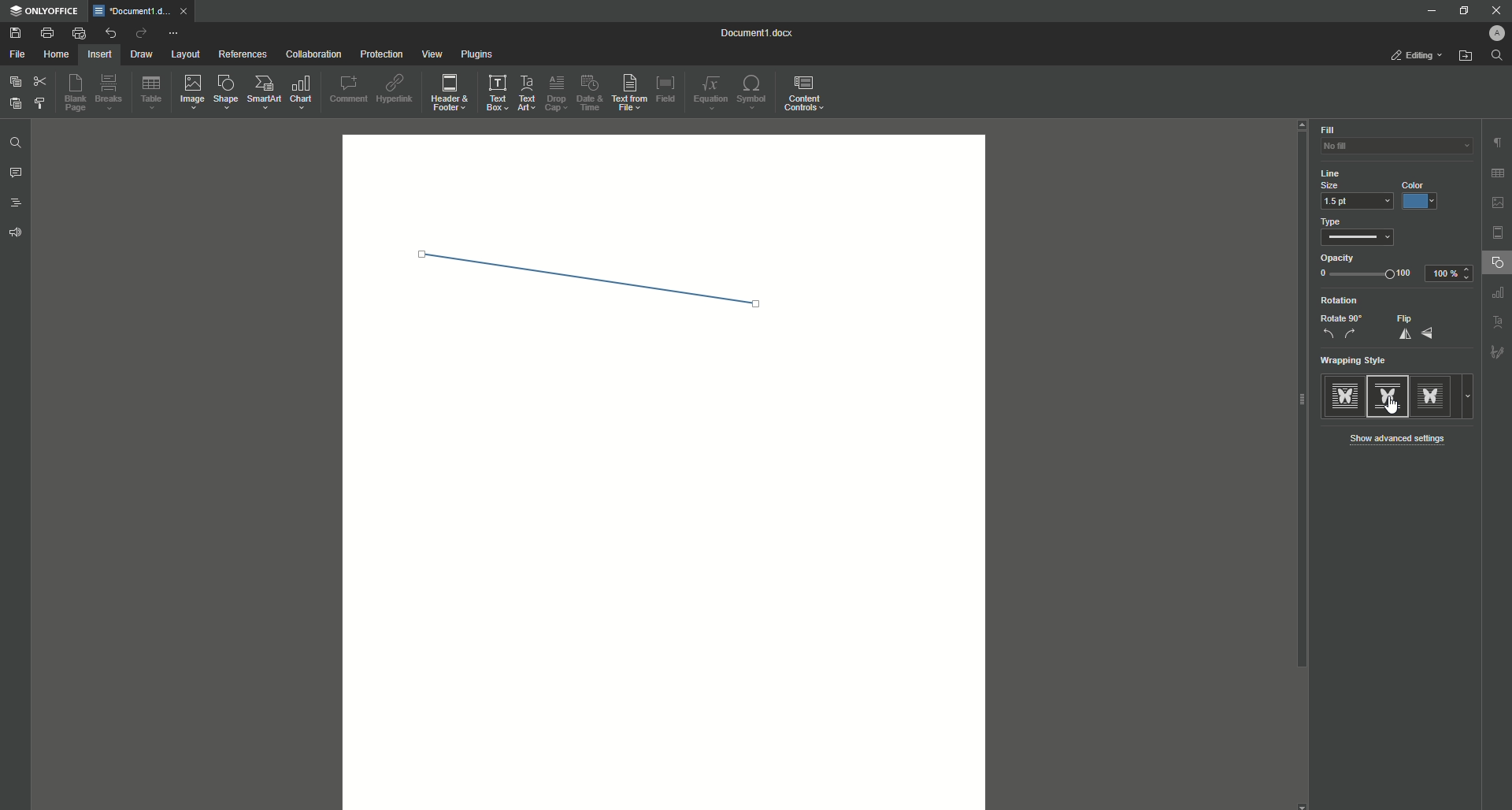  I want to click on page, so click(1499, 232).